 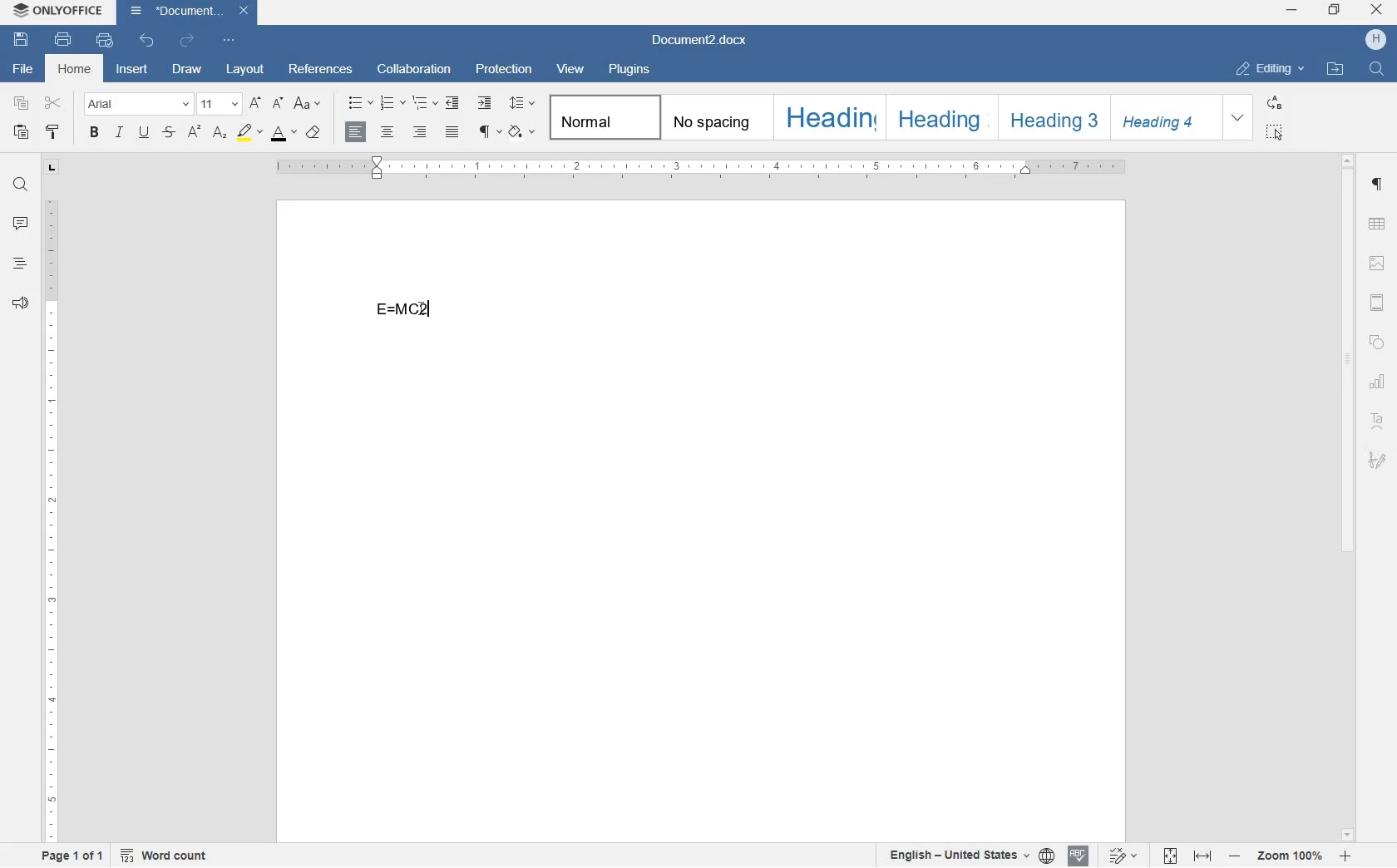 What do you see at coordinates (285, 133) in the screenshot?
I see `font color` at bounding box center [285, 133].